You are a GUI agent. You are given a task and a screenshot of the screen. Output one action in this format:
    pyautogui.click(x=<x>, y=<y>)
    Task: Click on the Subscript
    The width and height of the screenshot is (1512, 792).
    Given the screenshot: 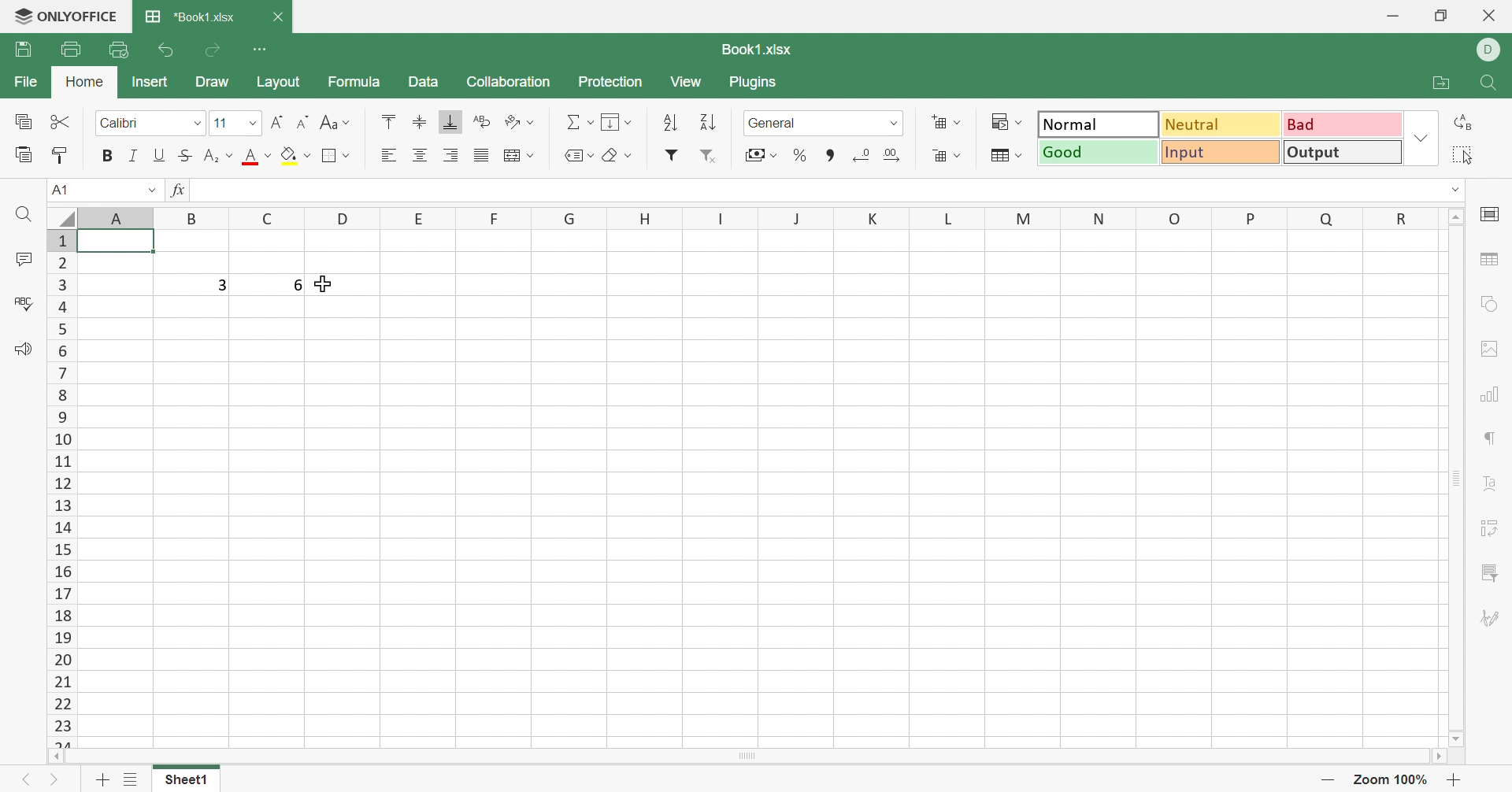 What is the action you would take?
    pyautogui.click(x=220, y=157)
    